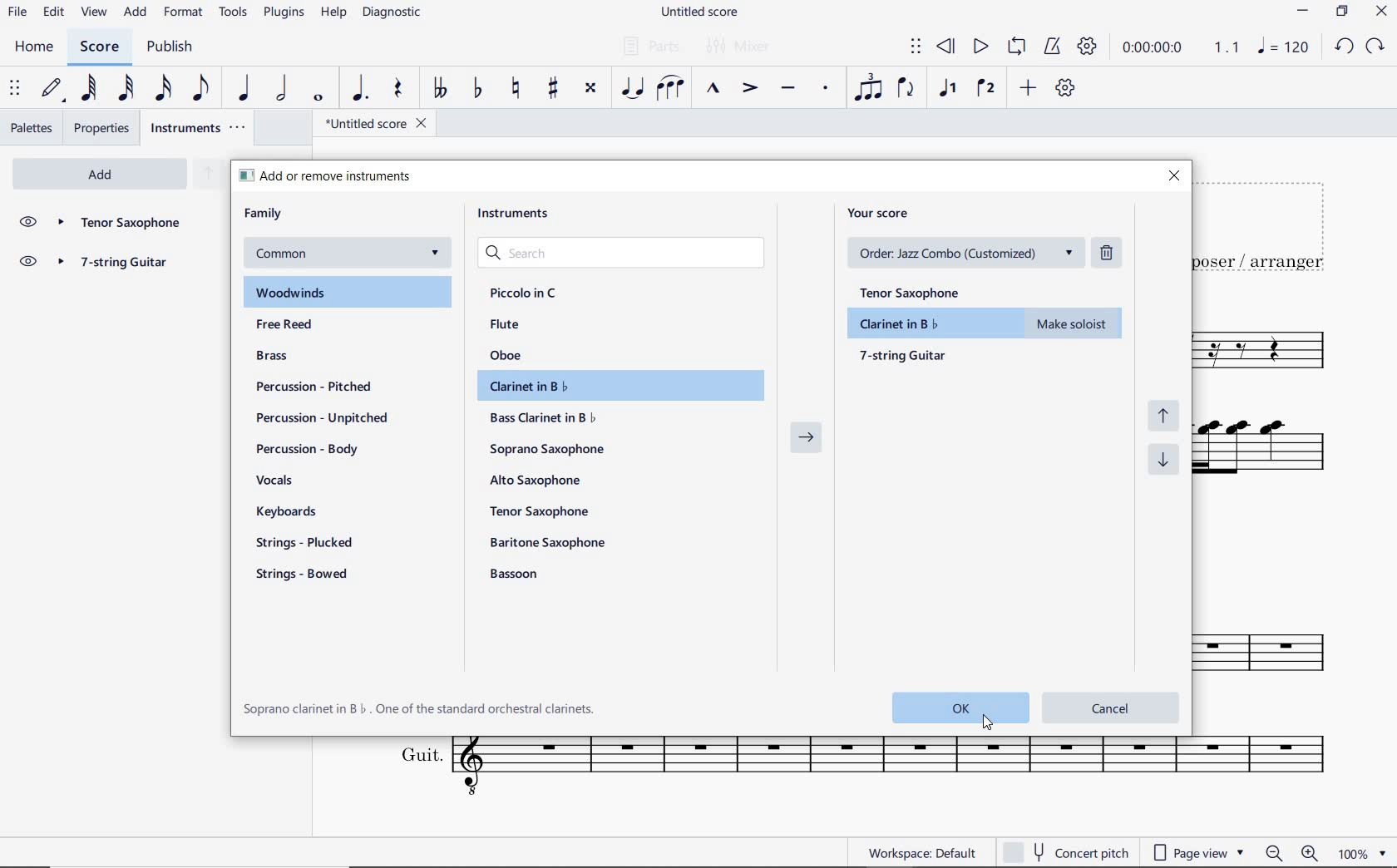  I want to click on INSTRUMENT: GUIT, so click(853, 769).